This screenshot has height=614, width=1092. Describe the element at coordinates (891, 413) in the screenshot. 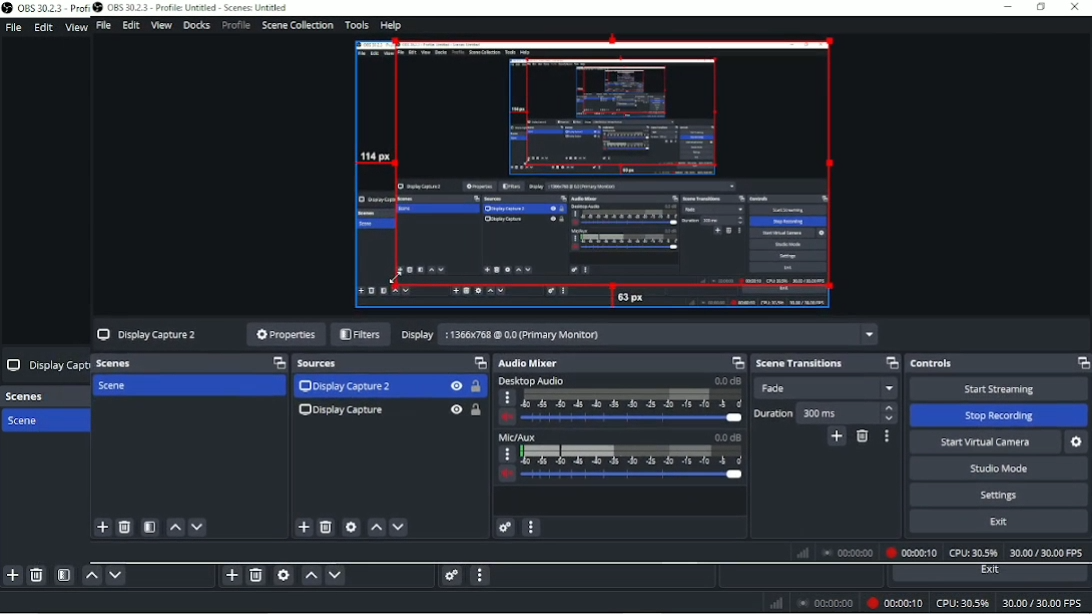

I see `stepper buttons` at that location.